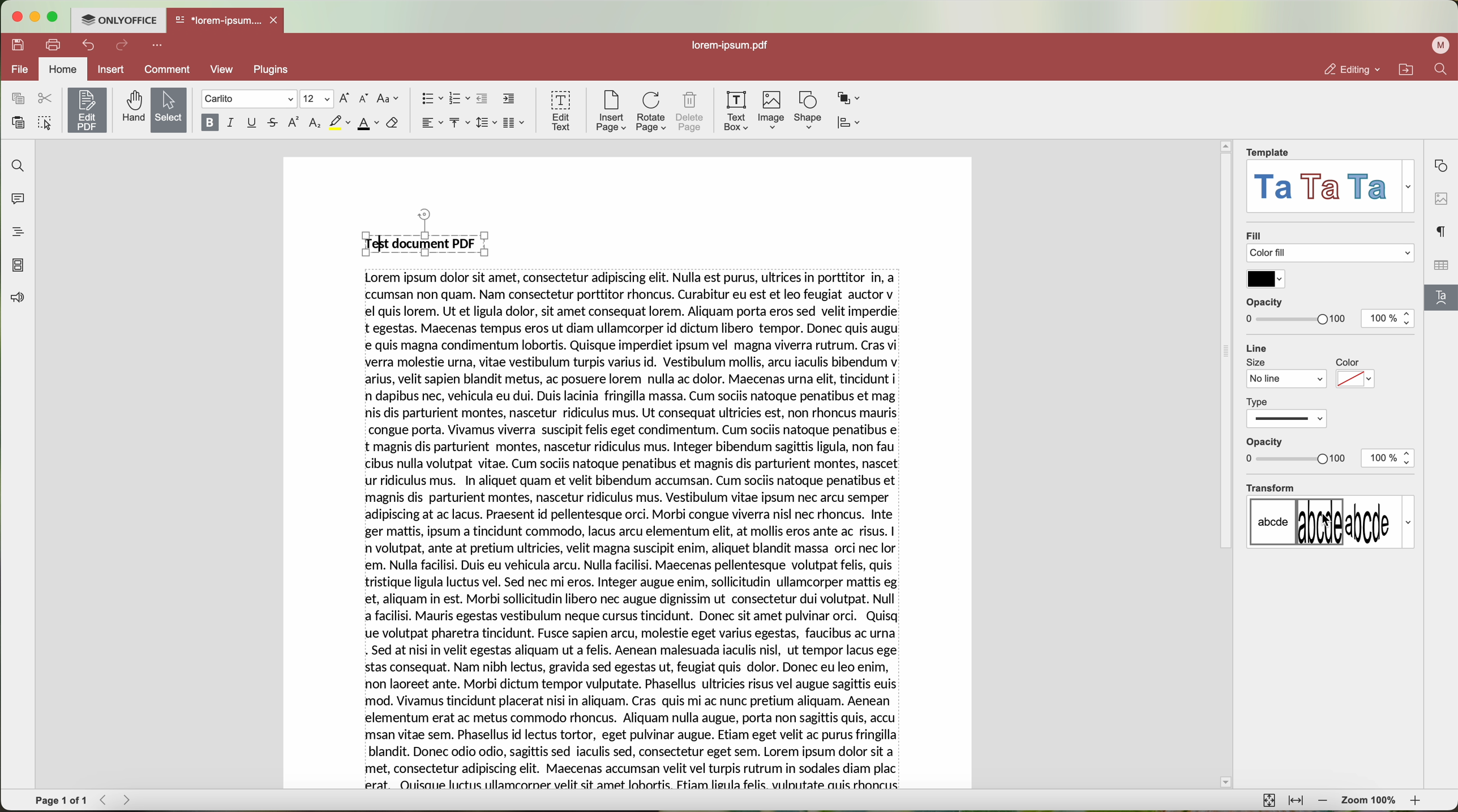 The width and height of the screenshot is (1458, 812). I want to click on ONLYOFFICE, so click(121, 20).